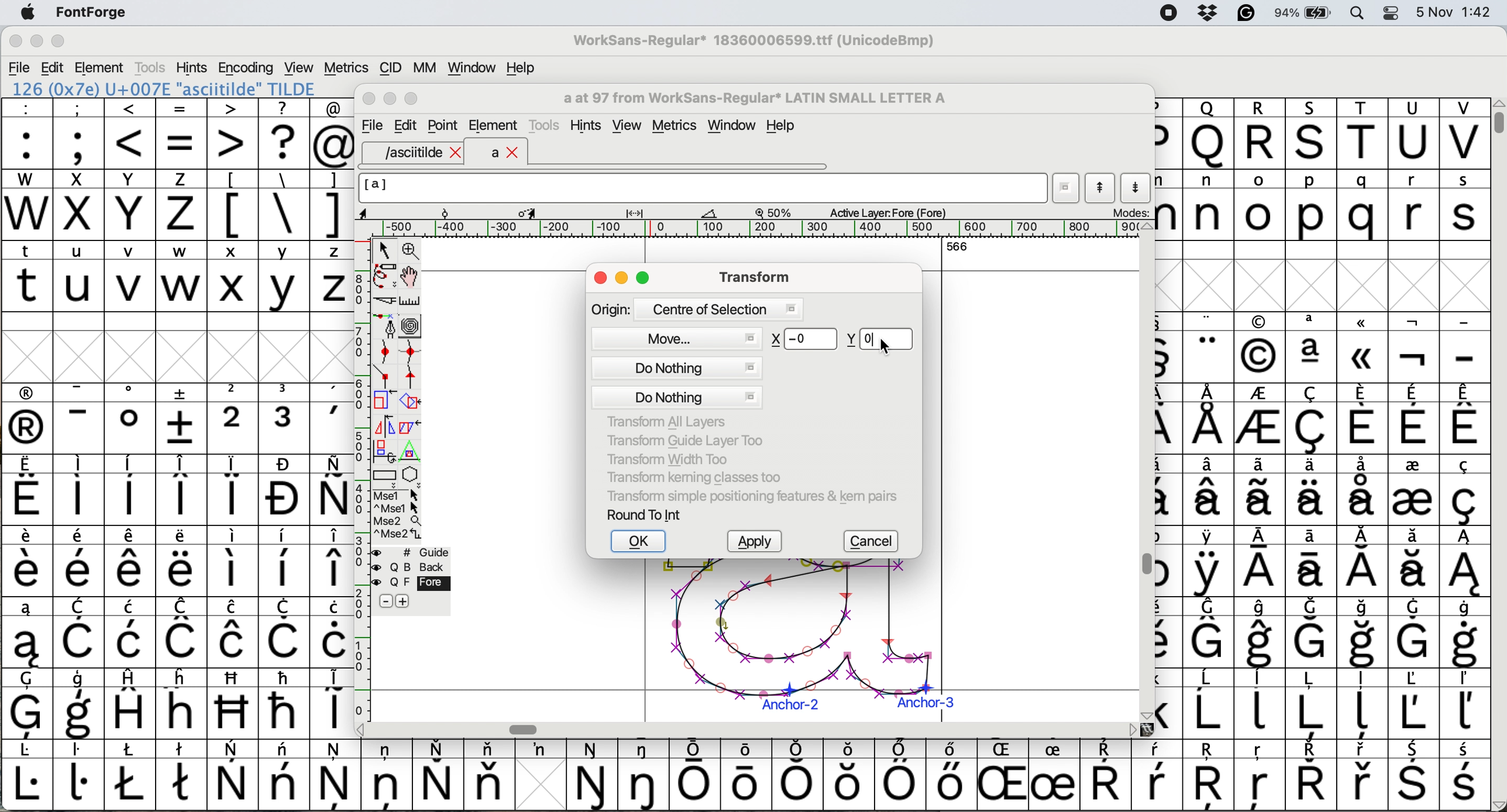 Image resolution: width=1507 pixels, height=812 pixels. I want to click on r, so click(1412, 205).